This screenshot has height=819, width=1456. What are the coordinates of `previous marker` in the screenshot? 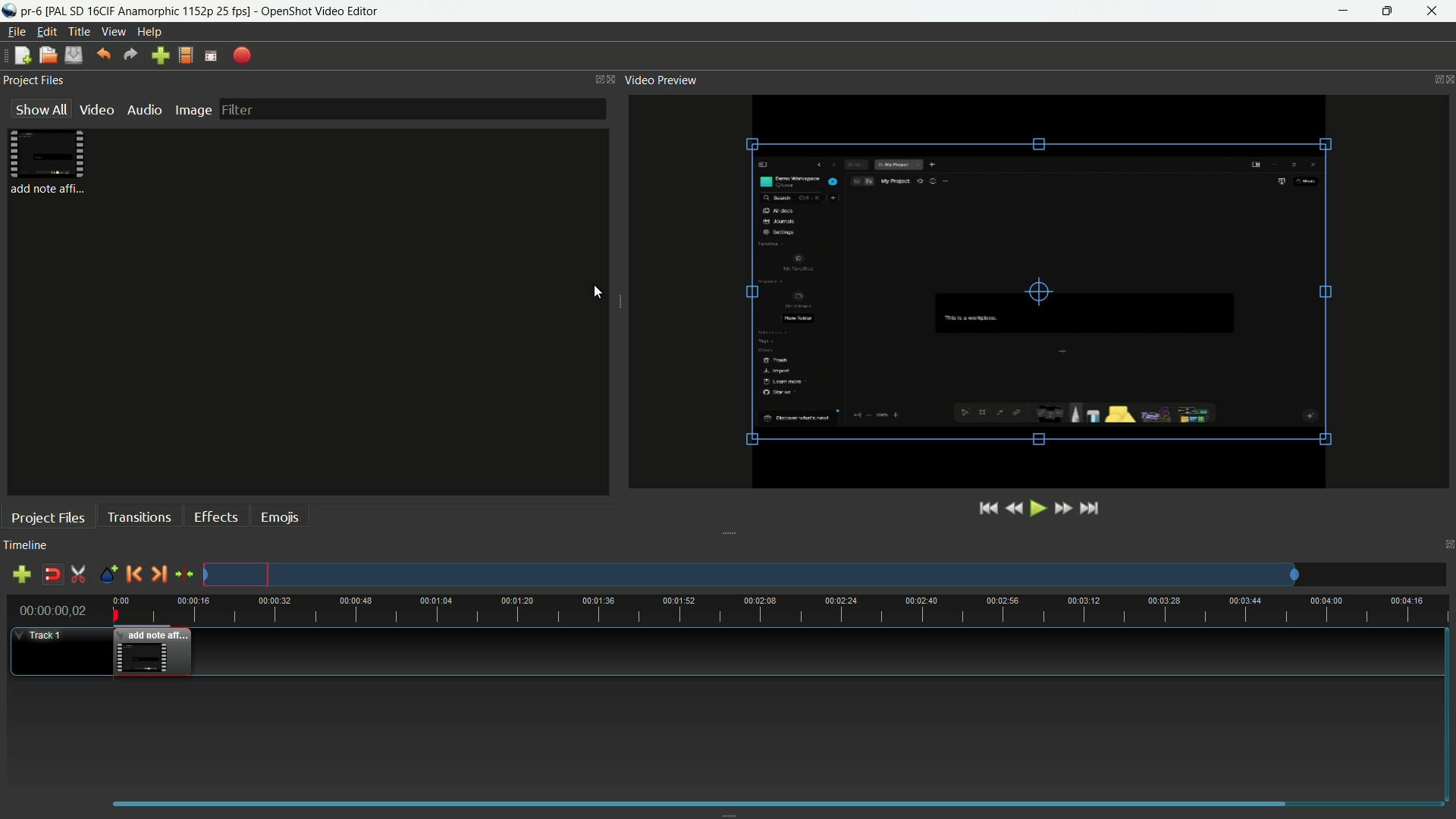 It's located at (131, 576).